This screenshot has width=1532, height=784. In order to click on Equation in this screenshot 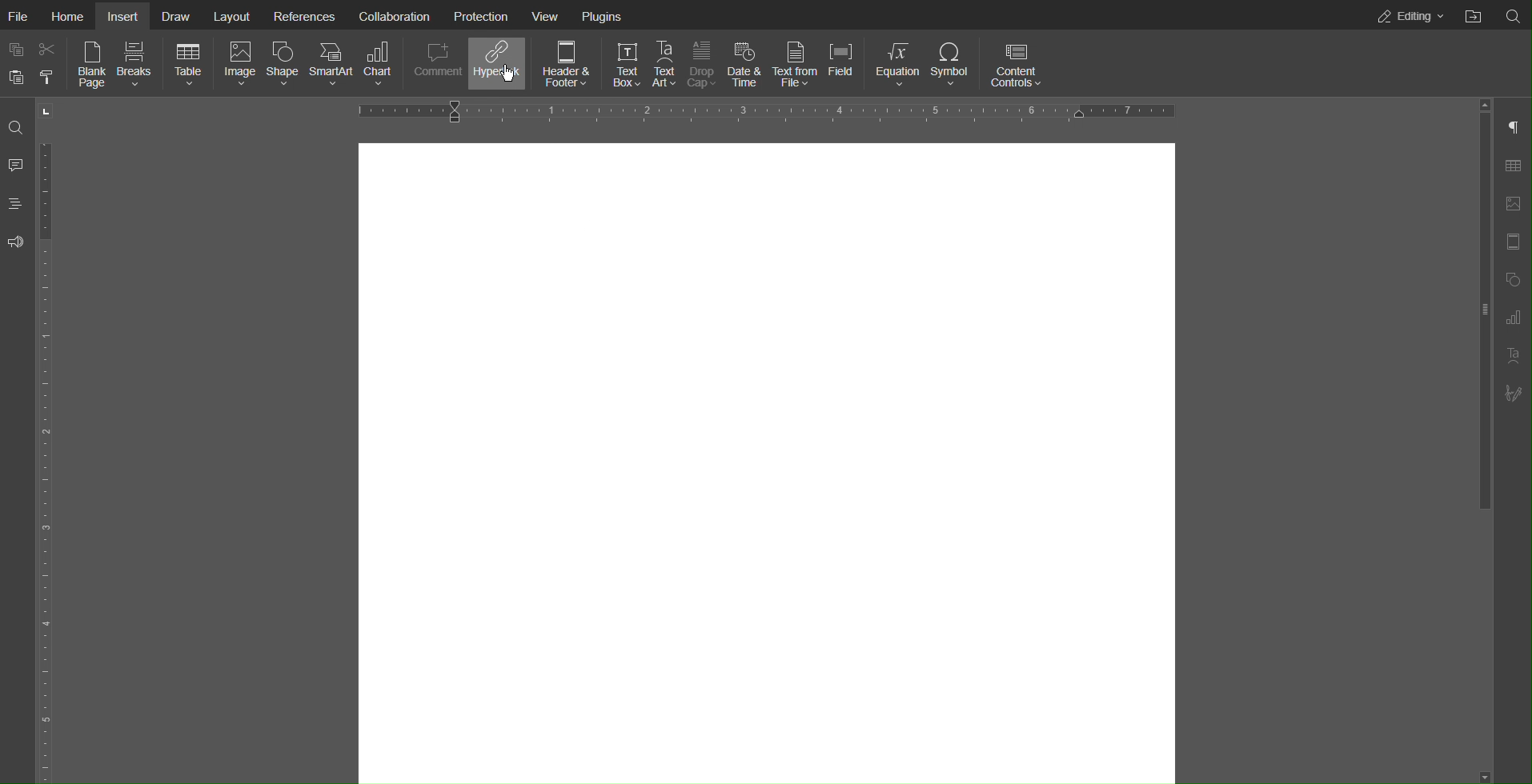, I will do `click(897, 65)`.